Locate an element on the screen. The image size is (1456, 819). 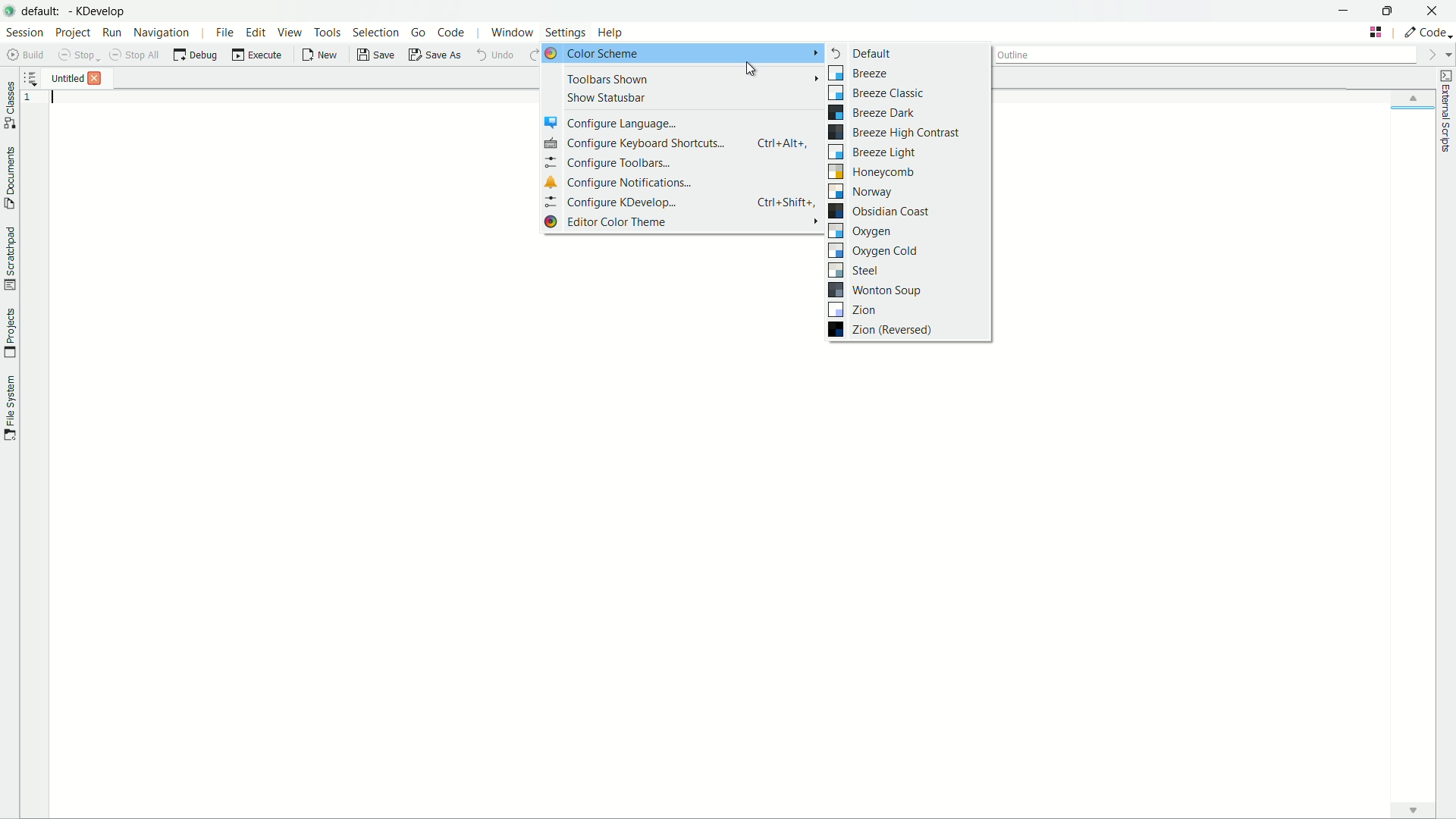
norway is located at coordinates (861, 192).